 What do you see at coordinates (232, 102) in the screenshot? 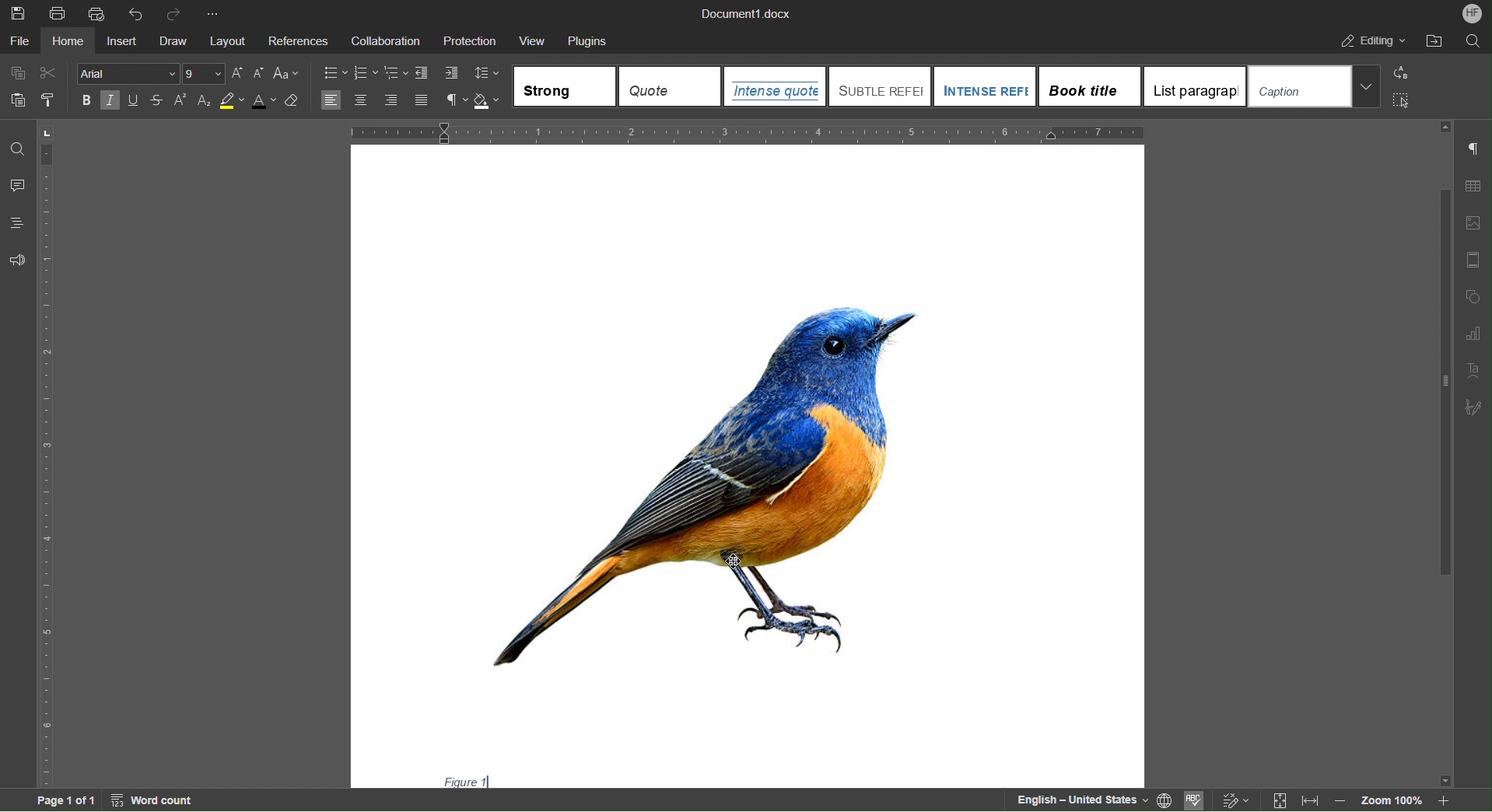
I see `Highlight` at bounding box center [232, 102].